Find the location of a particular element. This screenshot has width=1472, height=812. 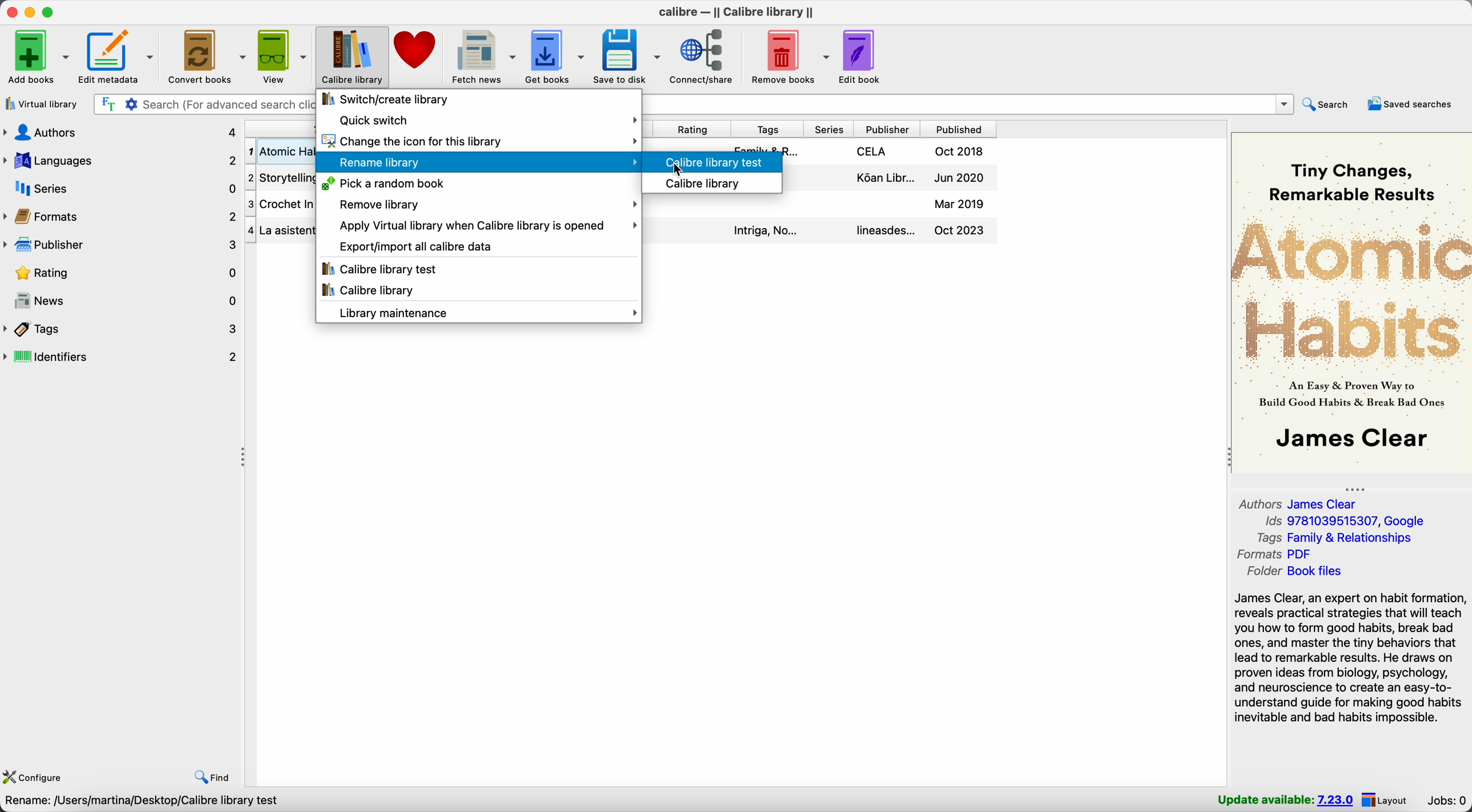

published is located at coordinates (958, 130).